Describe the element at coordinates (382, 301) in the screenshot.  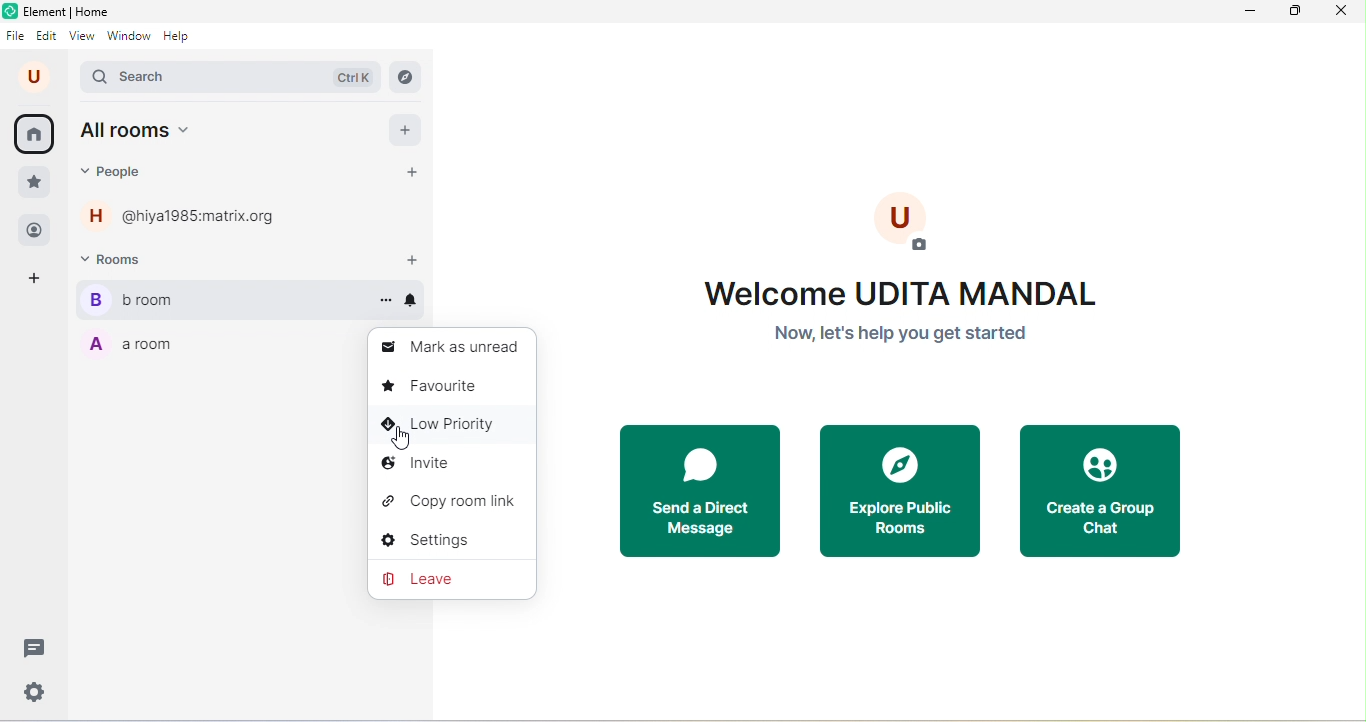
I see `options` at that location.